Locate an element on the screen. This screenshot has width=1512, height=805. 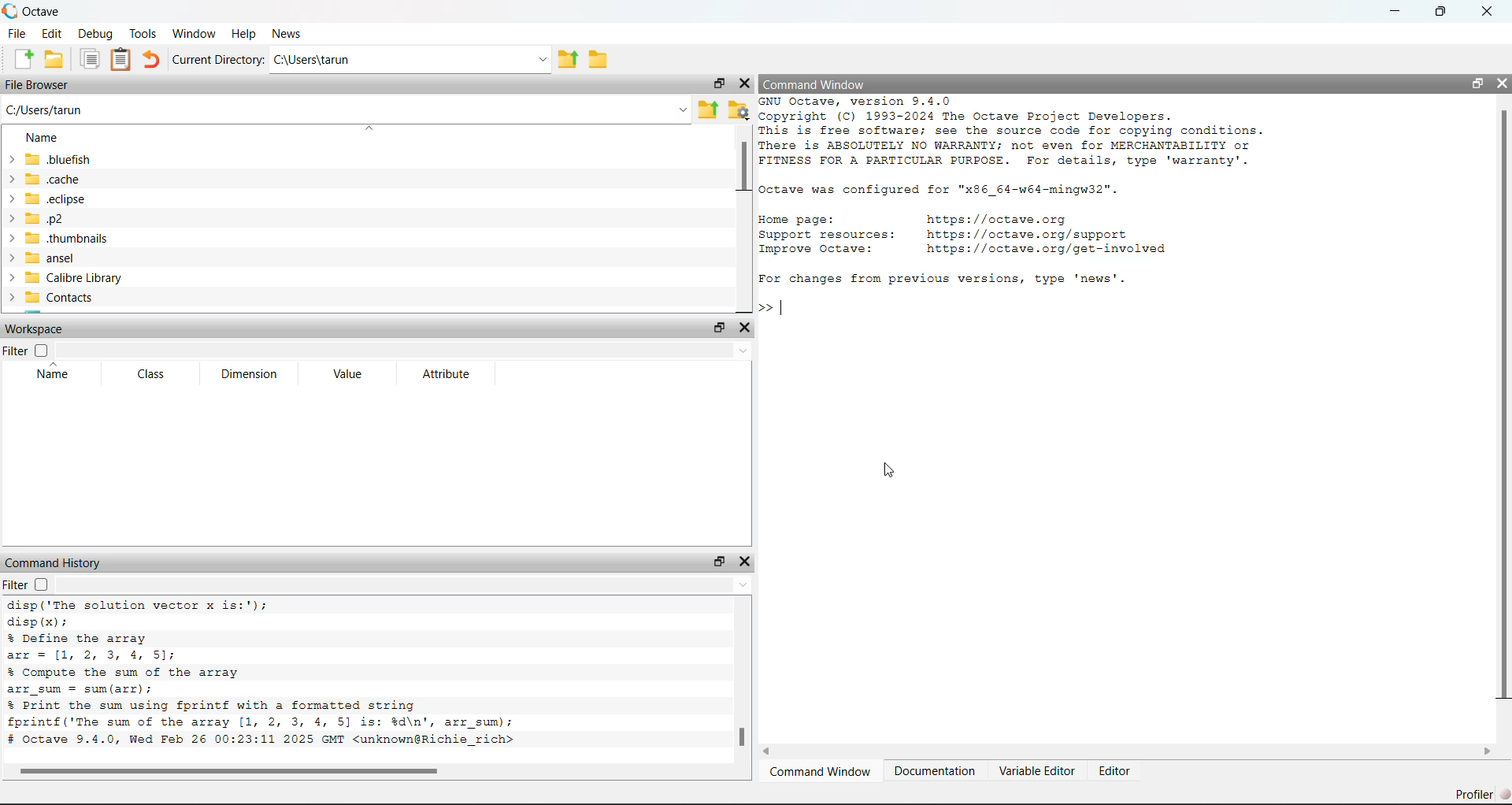
Filter is located at coordinates (16, 351).